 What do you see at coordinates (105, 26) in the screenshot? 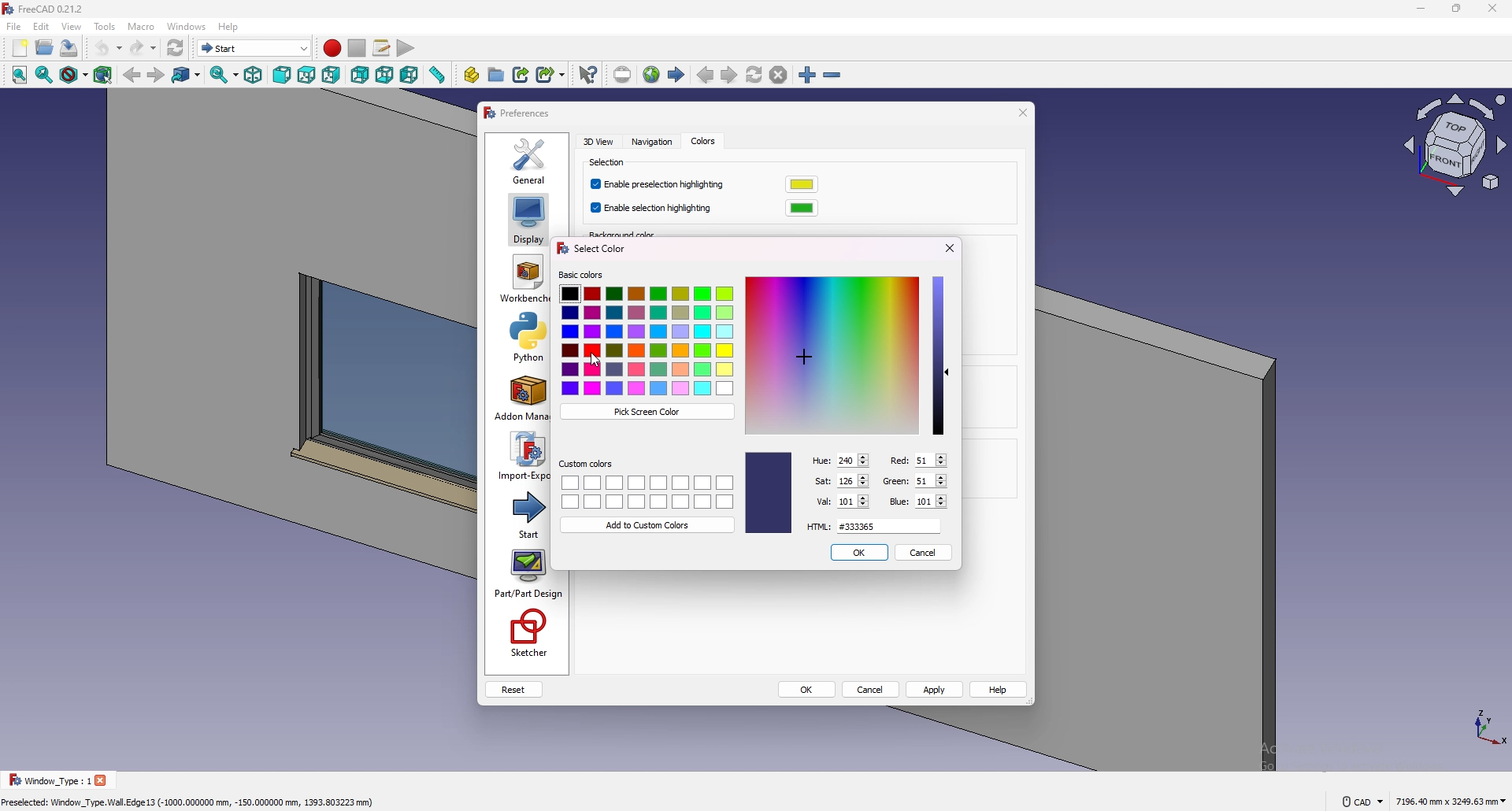
I see `tools` at bounding box center [105, 26].